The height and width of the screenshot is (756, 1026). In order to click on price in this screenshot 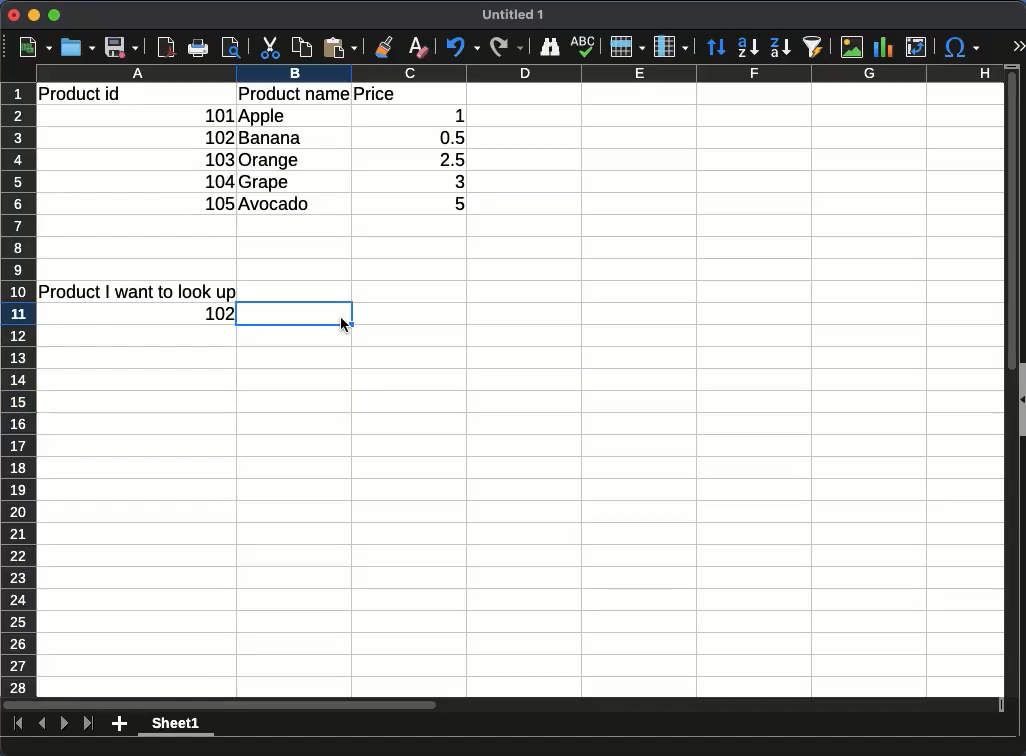, I will do `click(374, 94)`.